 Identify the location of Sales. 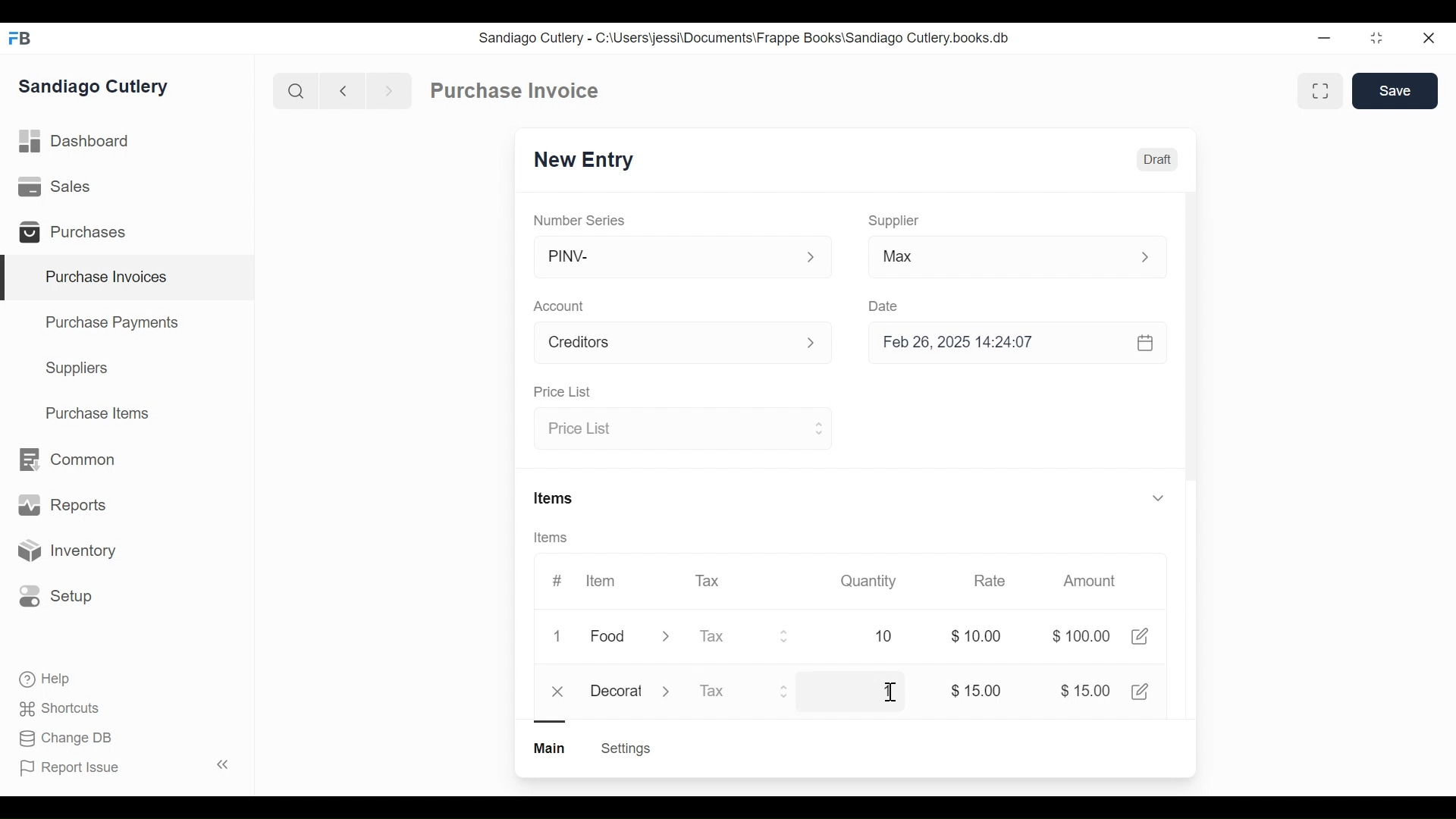
(58, 187).